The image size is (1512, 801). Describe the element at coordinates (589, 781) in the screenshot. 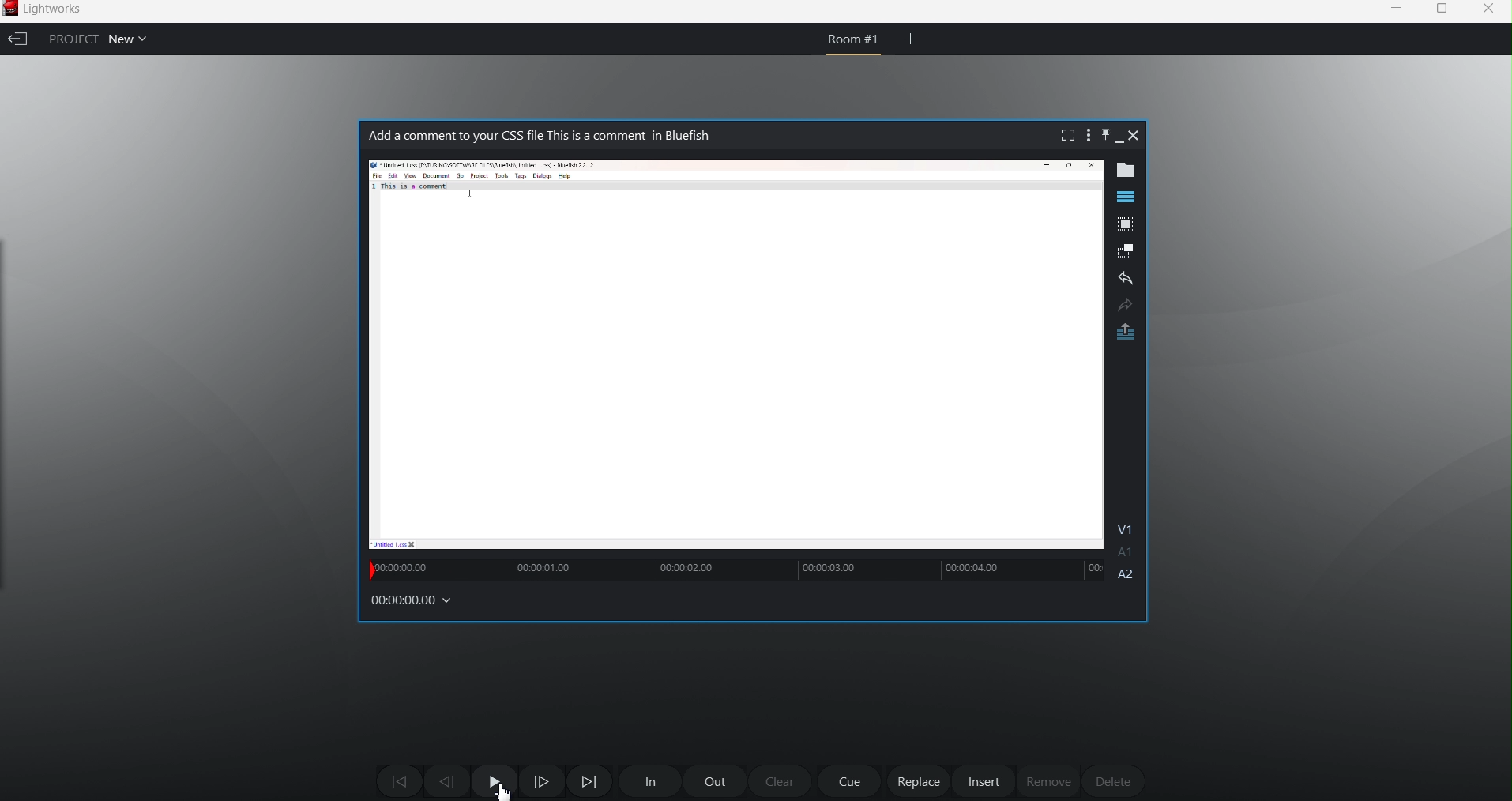

I see `Move Forward` at that location.